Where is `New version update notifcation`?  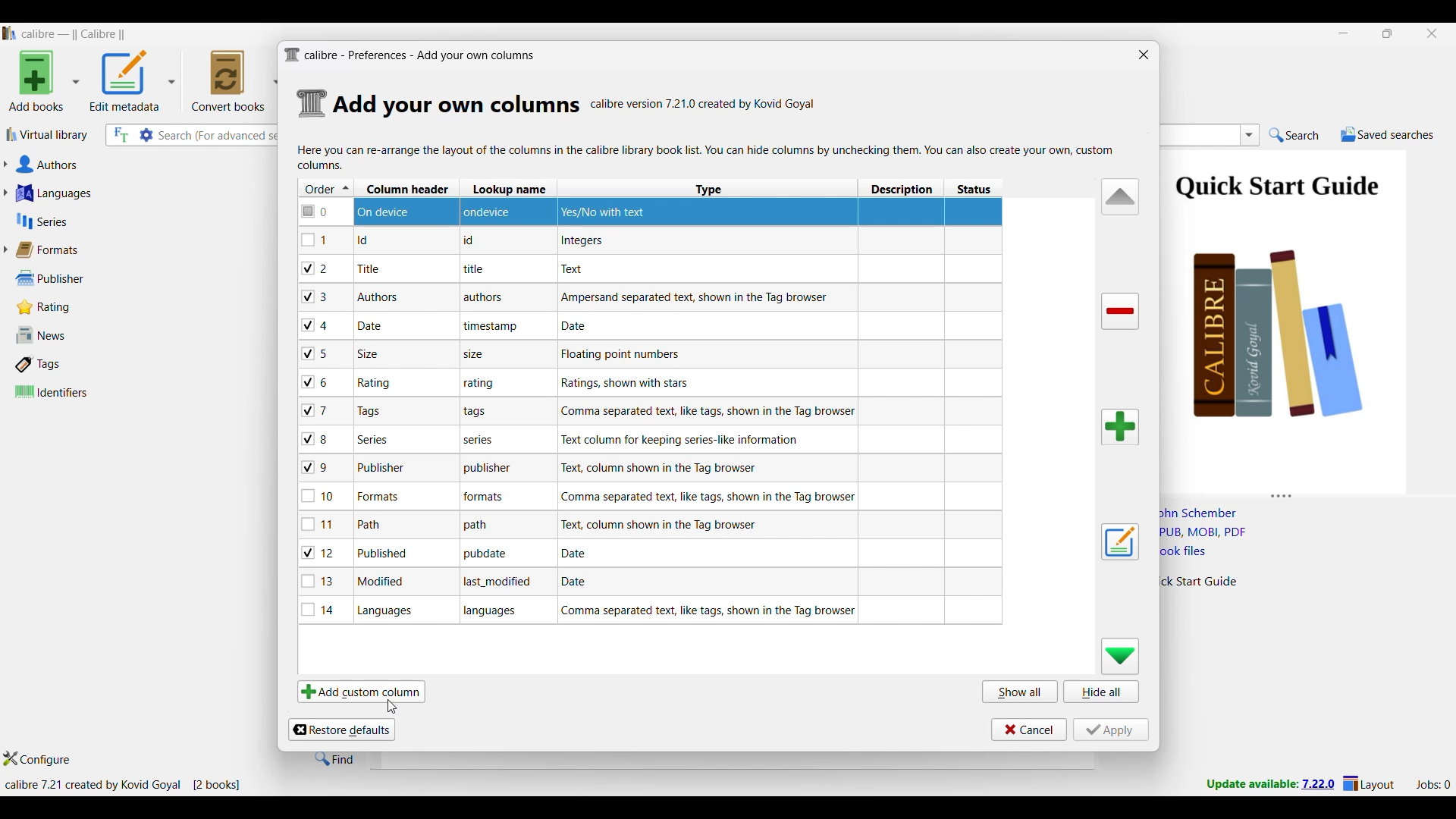
New version update notifcation is located at coordinates (1270, 783).